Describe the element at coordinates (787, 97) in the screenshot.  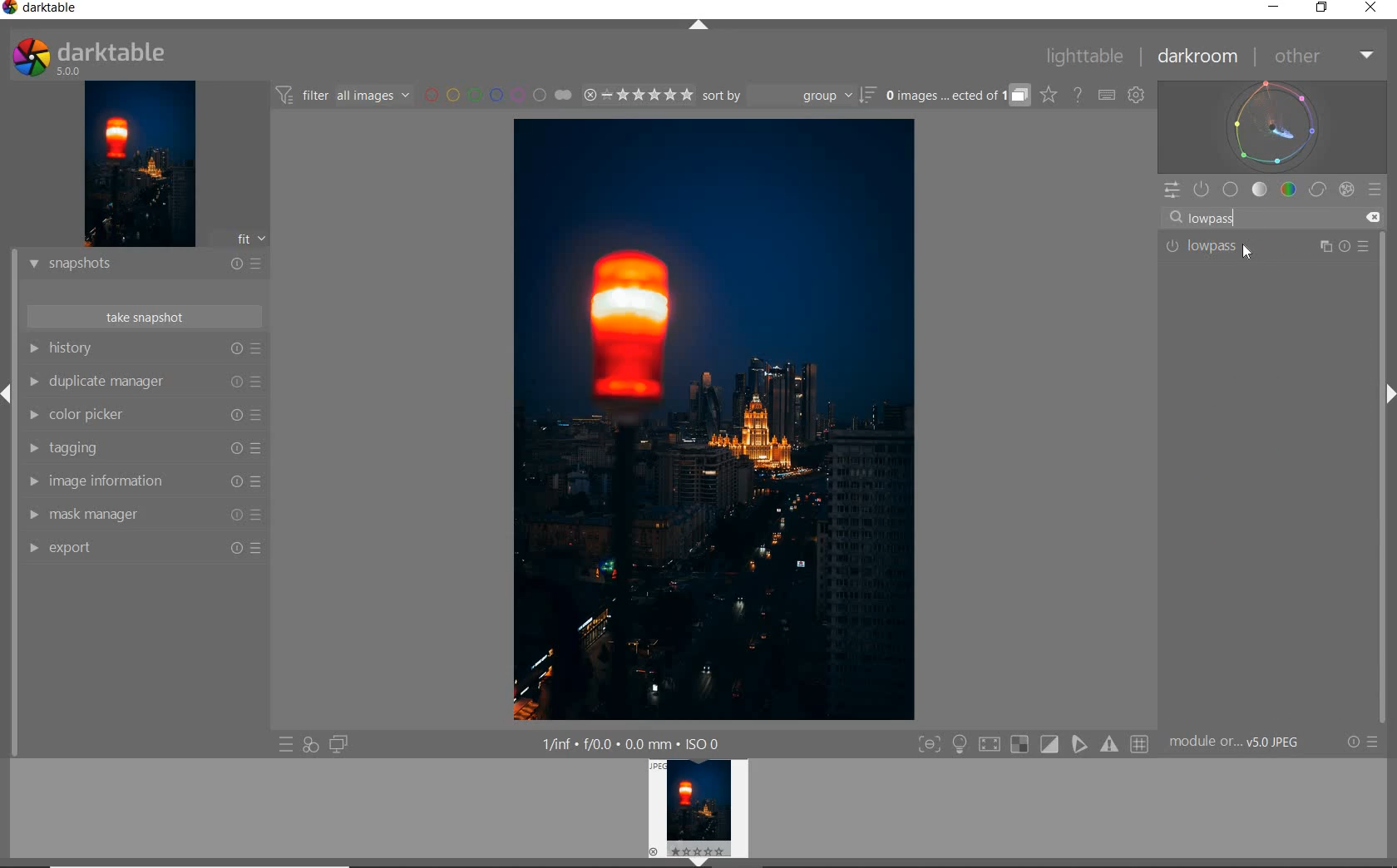
I see `SORT` at that location.